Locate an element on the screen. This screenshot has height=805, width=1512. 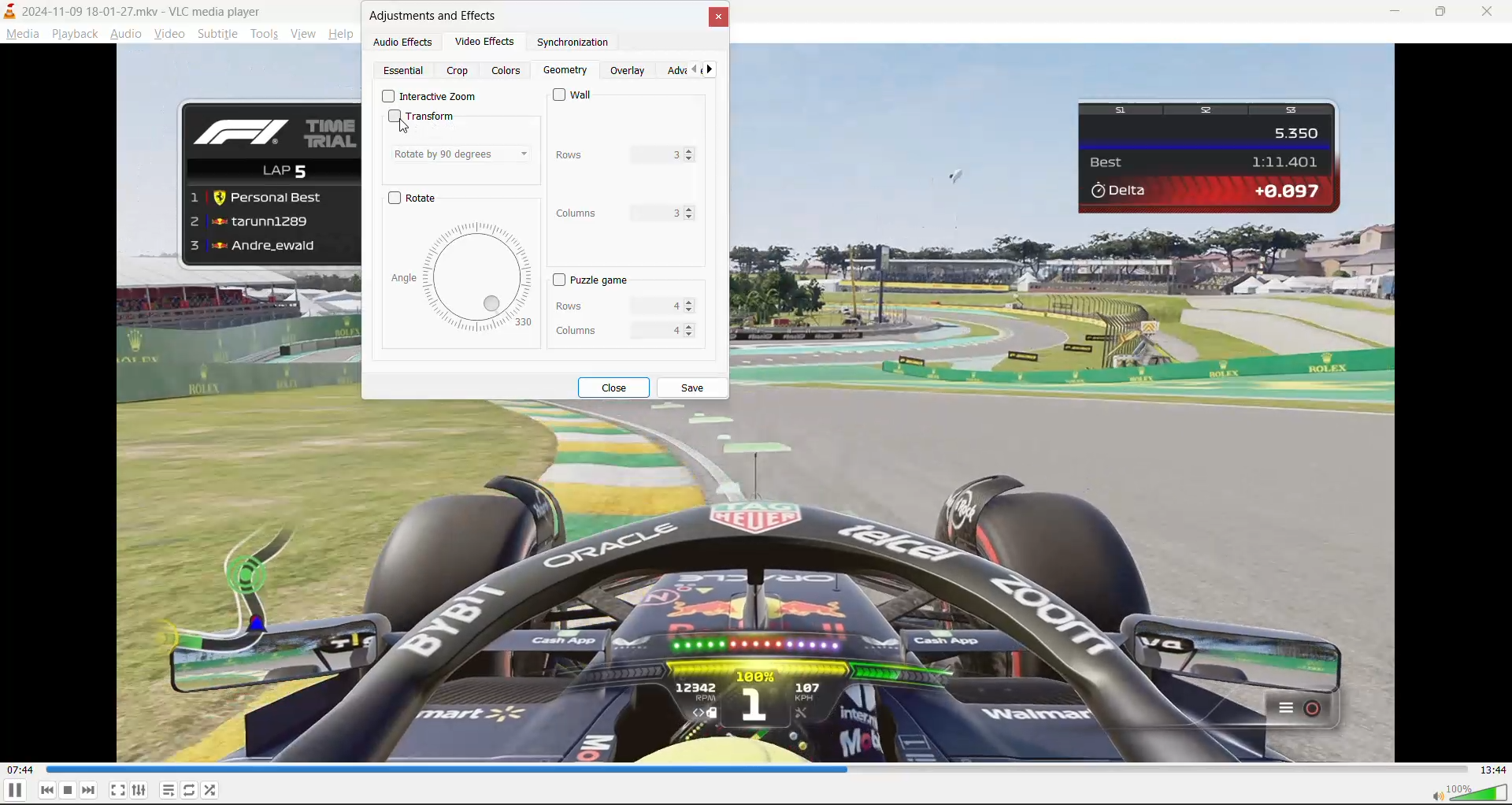
wall is located at coordinates (575, 97).